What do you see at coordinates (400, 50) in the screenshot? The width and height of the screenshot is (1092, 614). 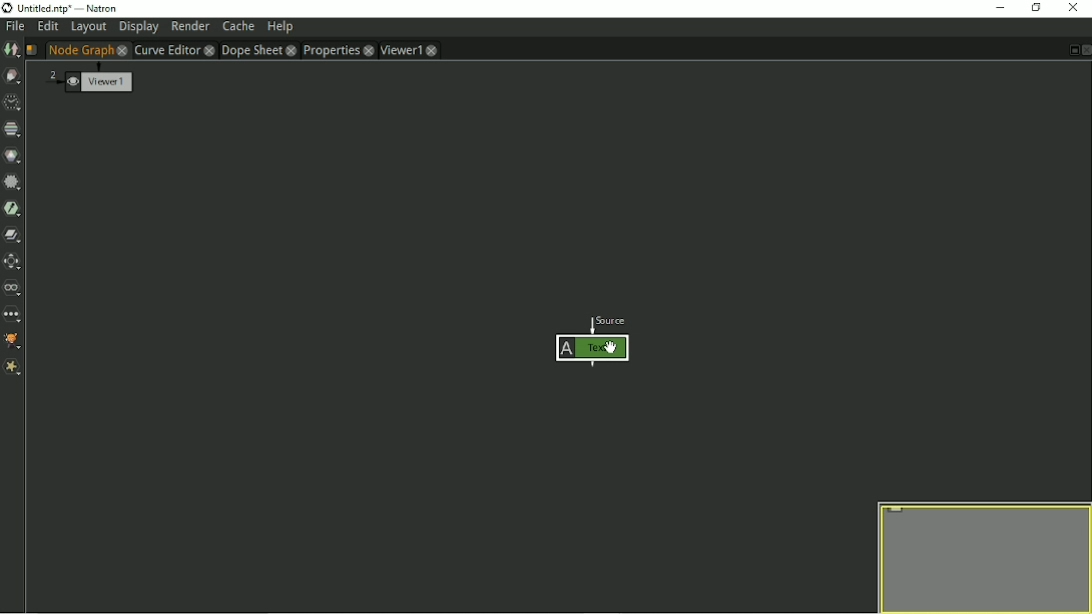 I see `Viewer1` at bounding box center [400, 50].